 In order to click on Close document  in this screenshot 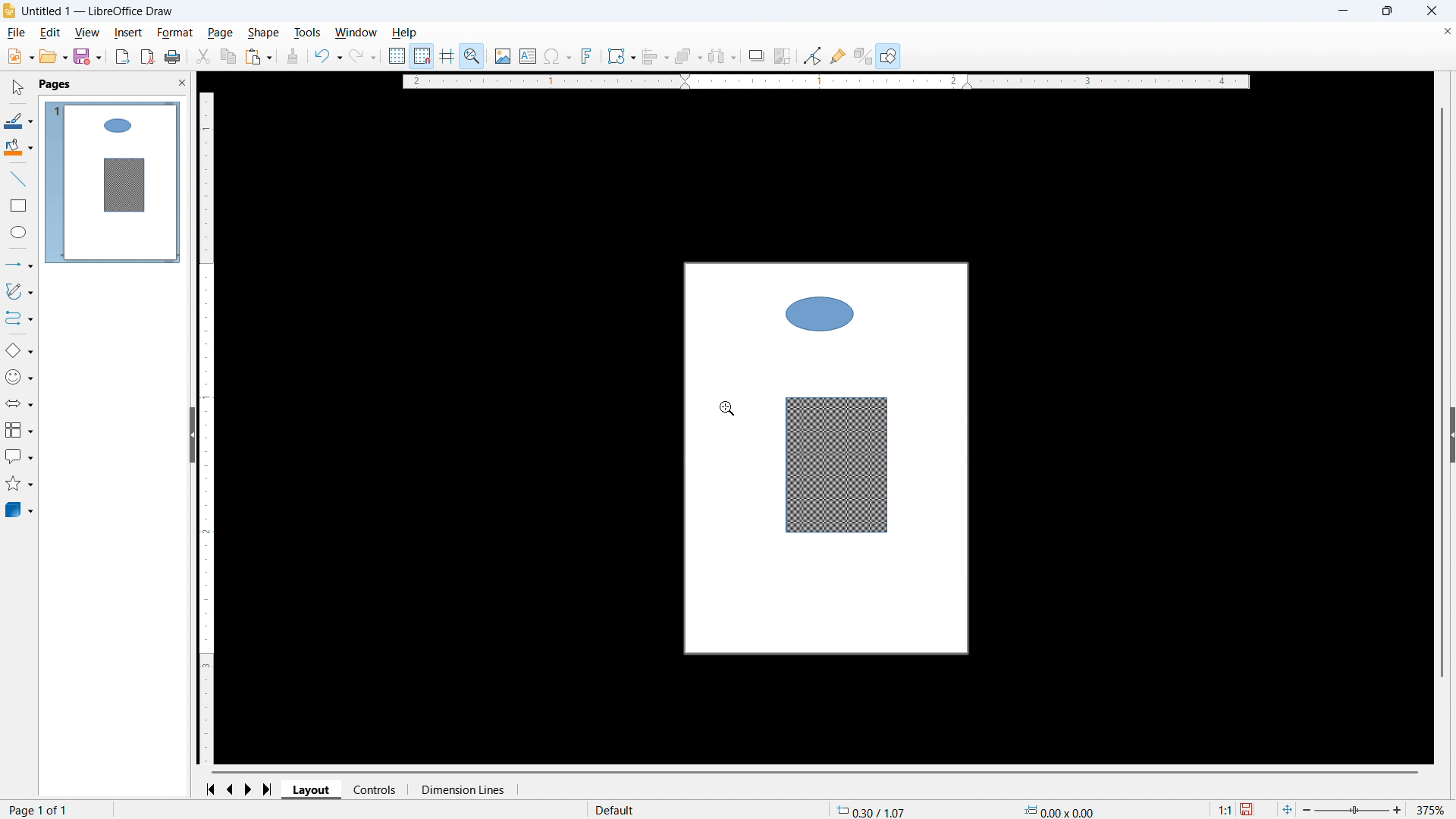, I will do `click(1445, 32)`.